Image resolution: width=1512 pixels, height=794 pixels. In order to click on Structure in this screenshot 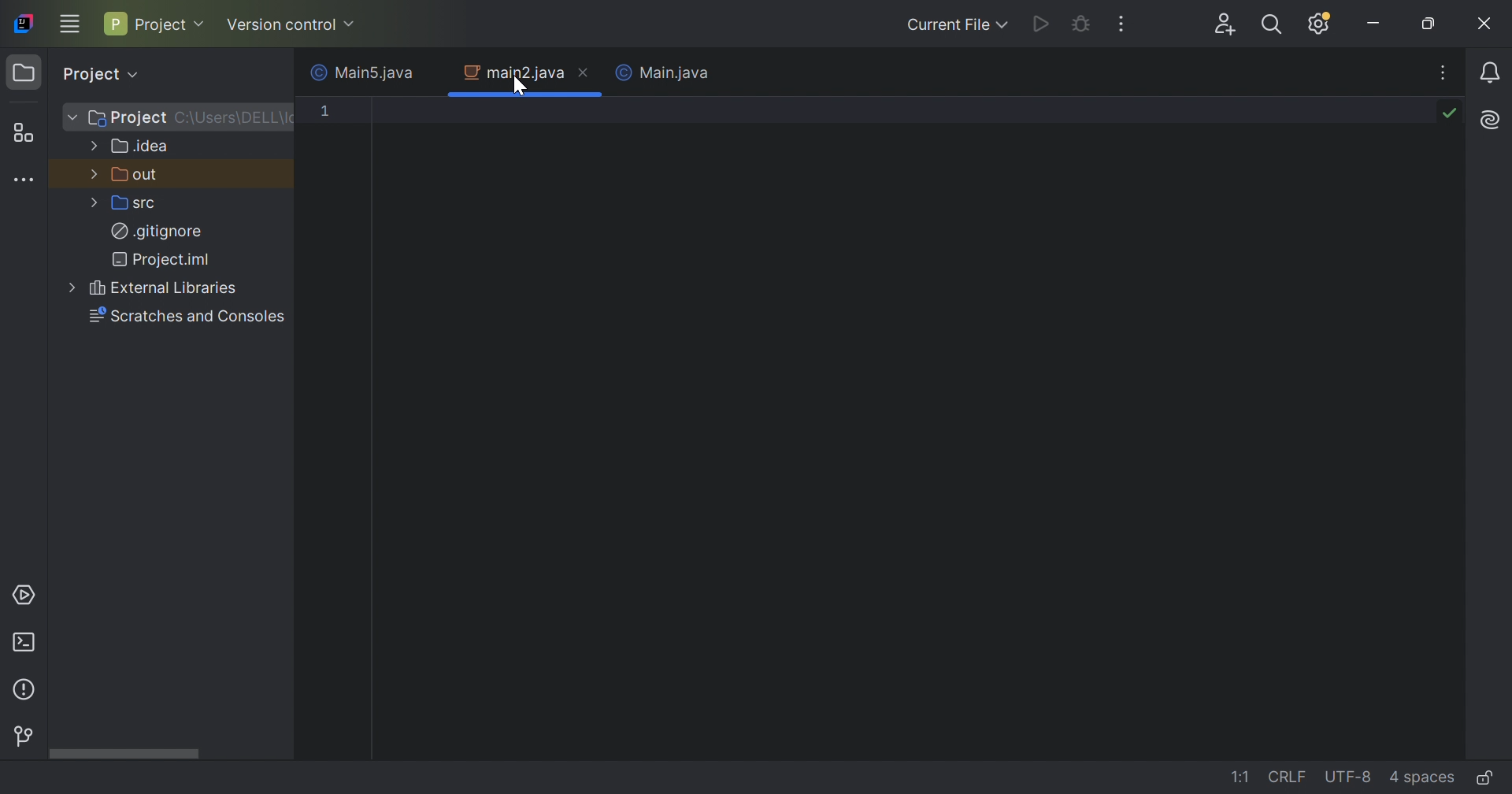, I will do `click(23, 132)`.